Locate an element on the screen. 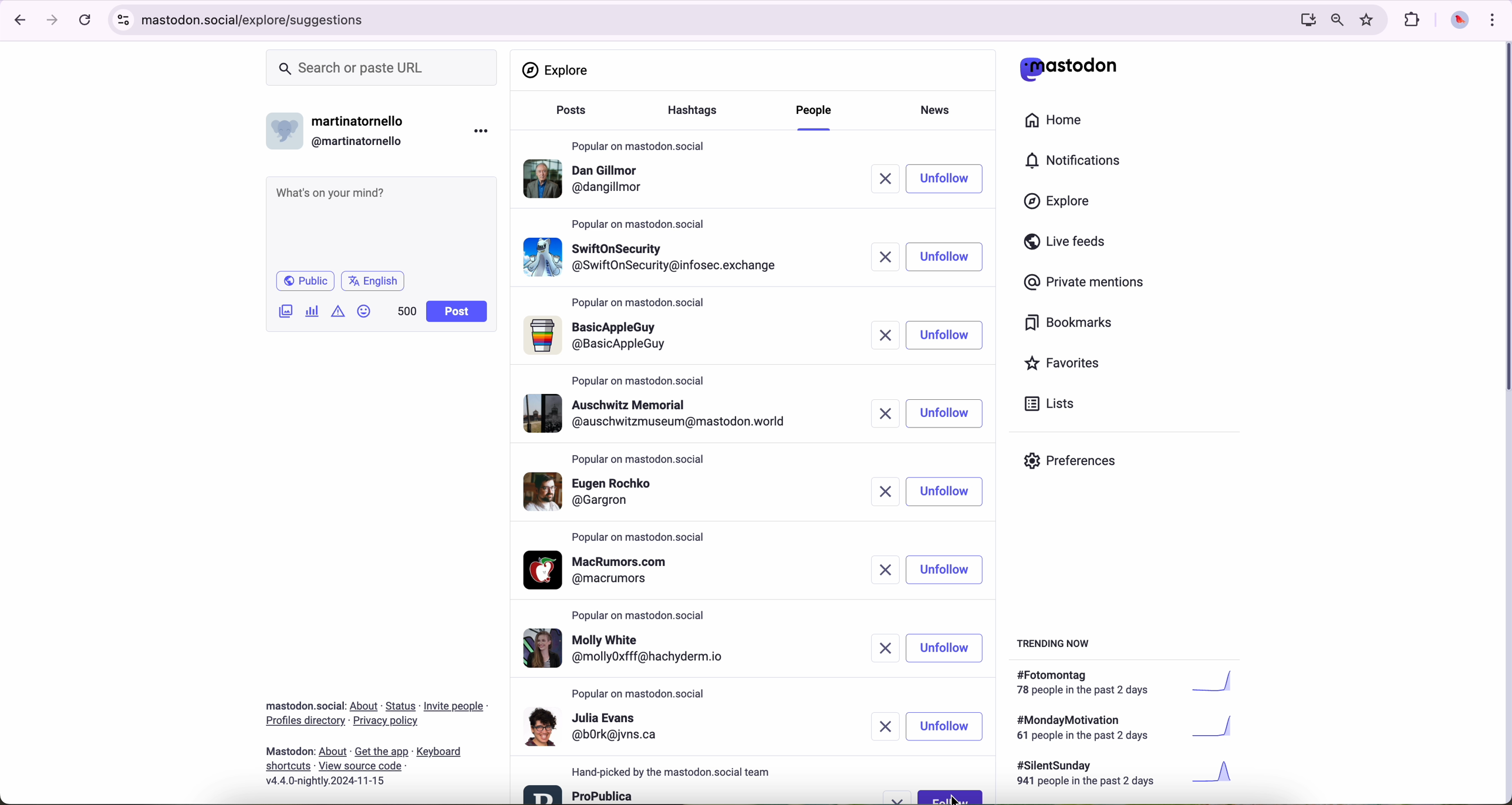 Image resolution: width=1512 pixels, height=805 pixels. profile is located at coordinates (635, 649).